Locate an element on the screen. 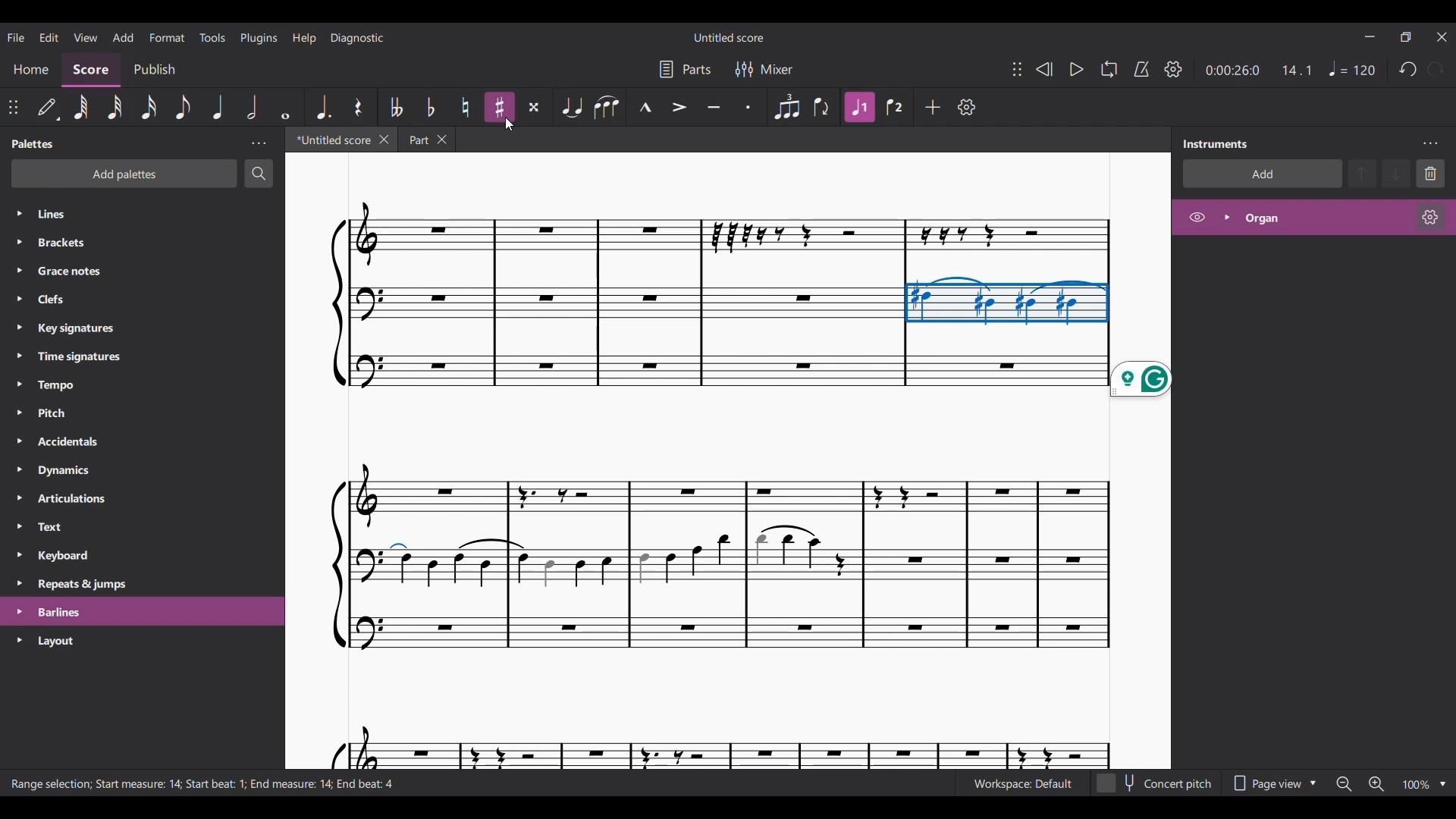  Highlighted as last selection is located at coordinates (143, 611).